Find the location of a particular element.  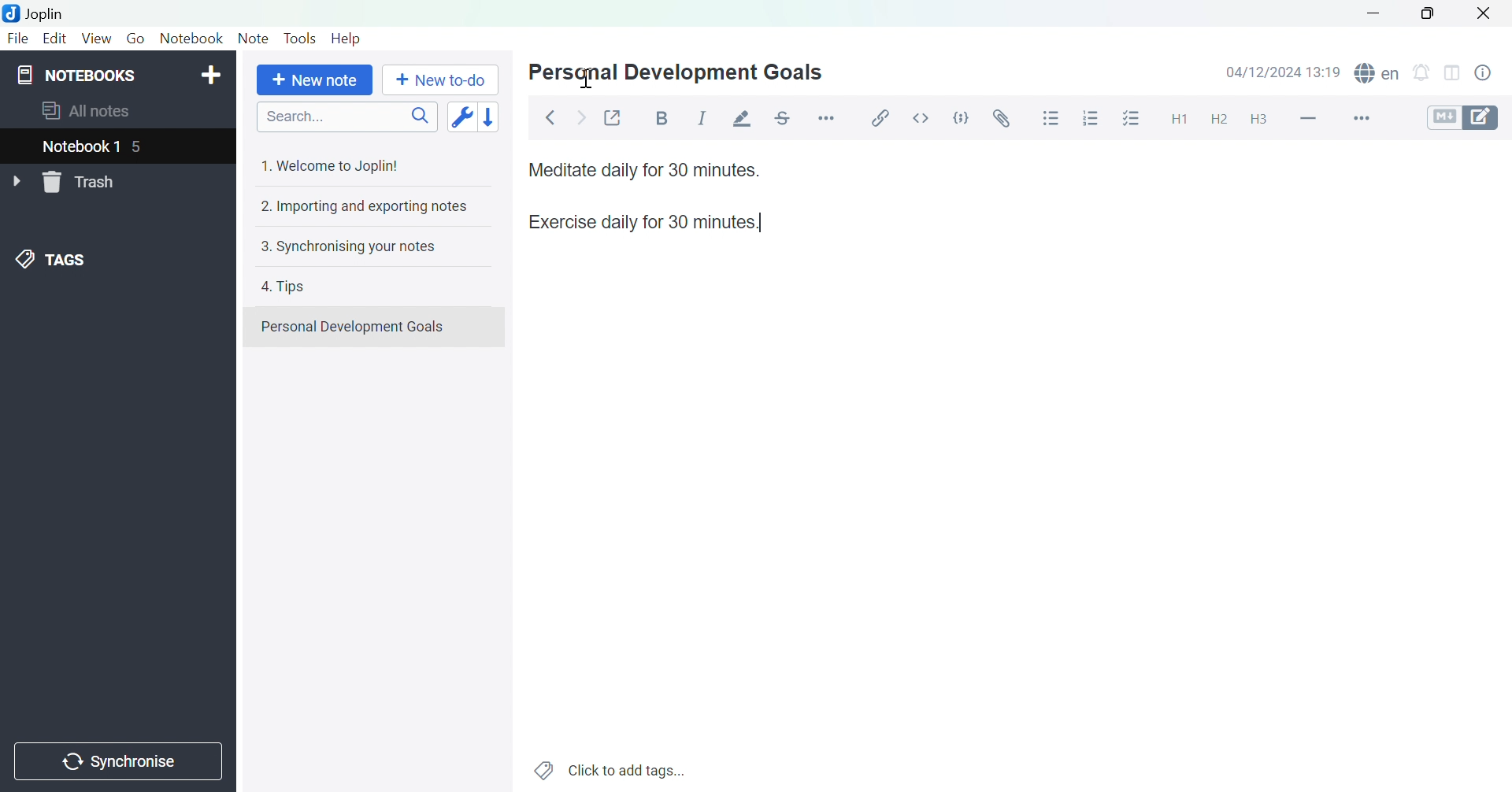

NOTEBOOKS is located at coordinates (78, 75).